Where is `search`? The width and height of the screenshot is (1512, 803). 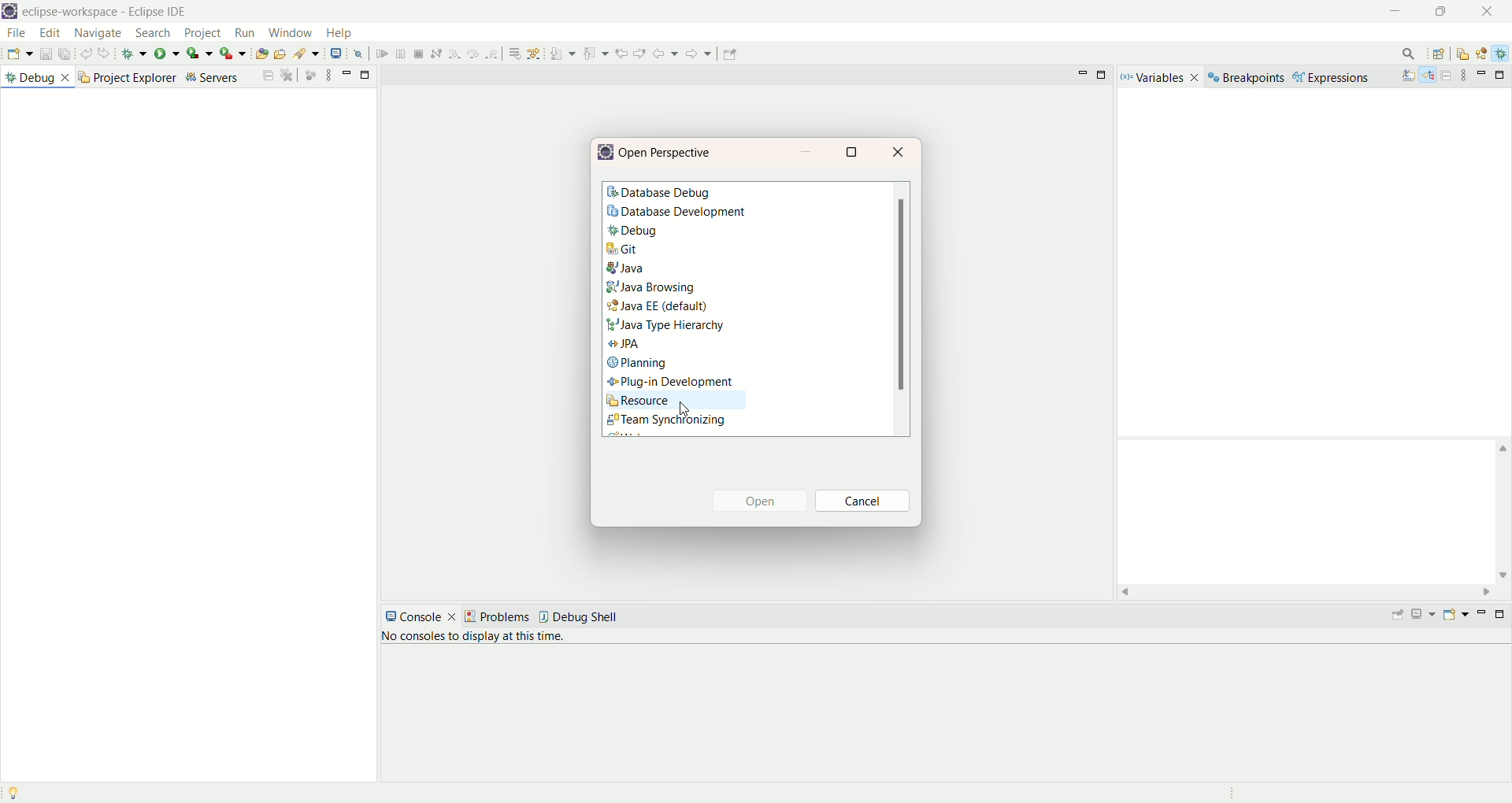 search is located at coordinates (1406, 53).